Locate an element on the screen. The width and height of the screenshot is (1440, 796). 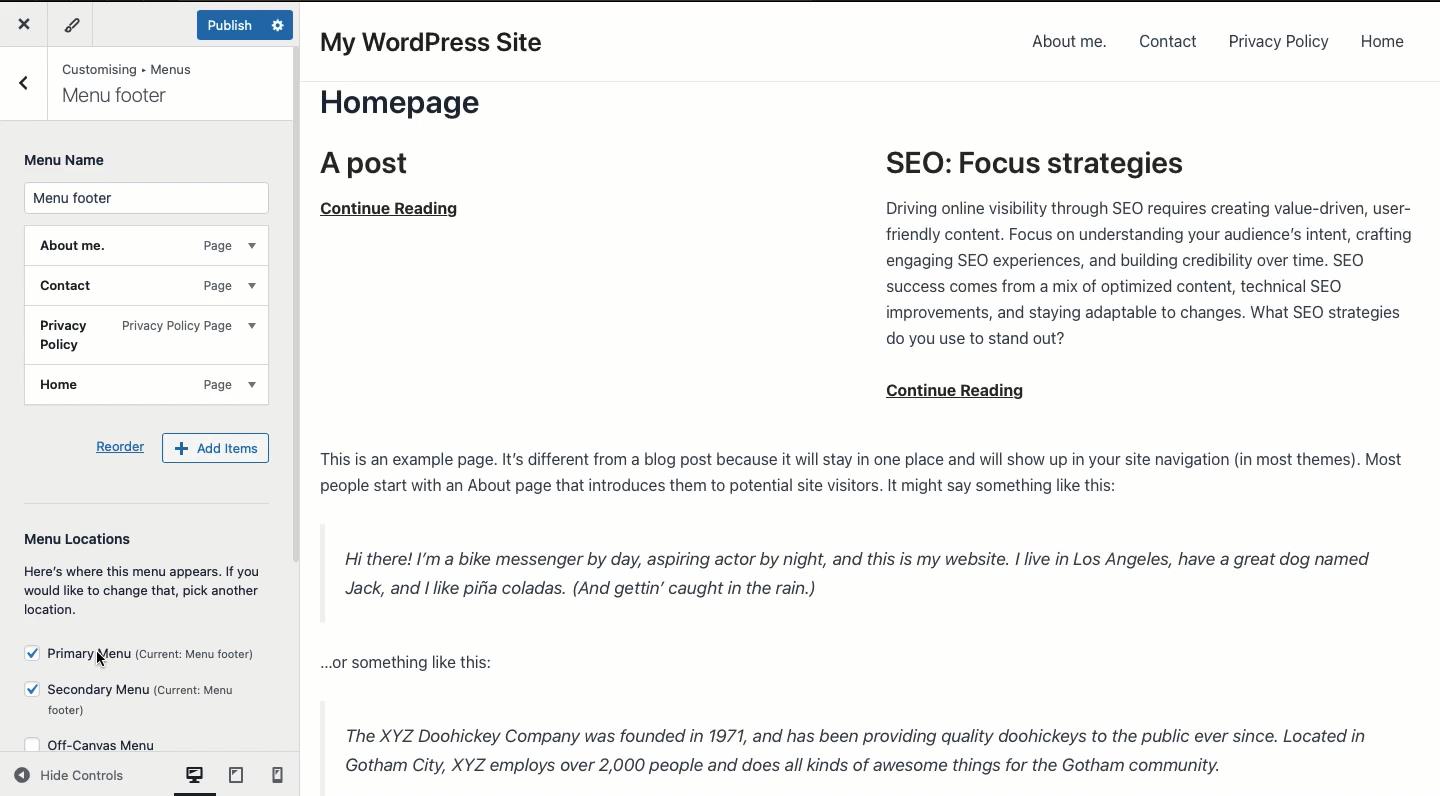
About me is located at coordinates (1069, 43).